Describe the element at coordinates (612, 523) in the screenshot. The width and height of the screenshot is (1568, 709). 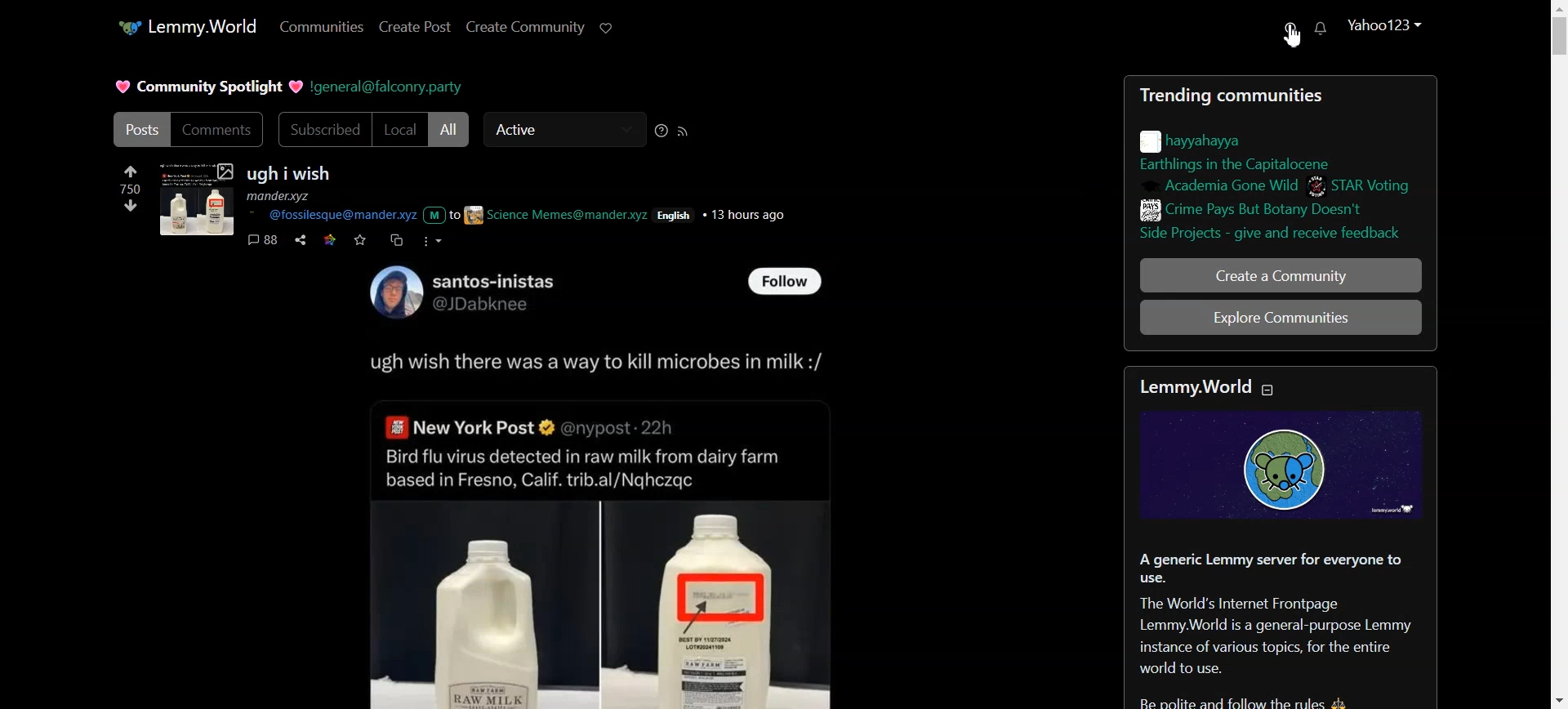
I see `Post` at that location.